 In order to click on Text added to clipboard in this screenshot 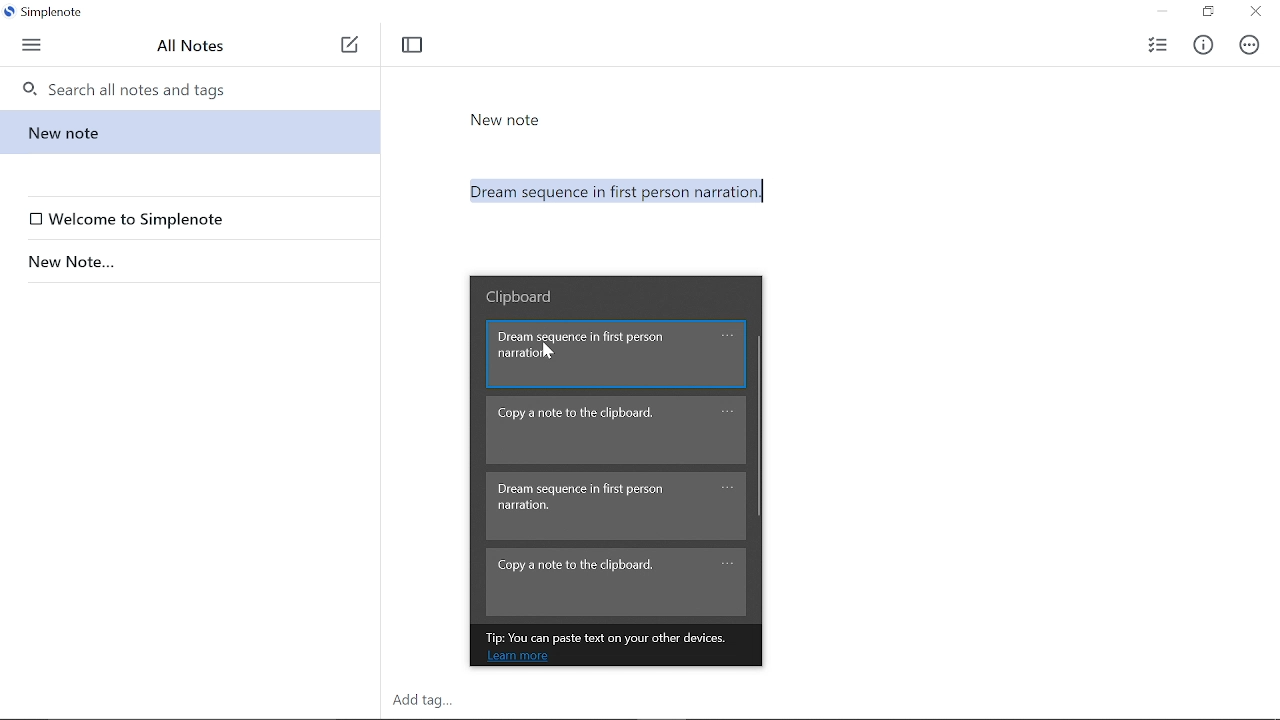, I will do `click(617, 353)`.